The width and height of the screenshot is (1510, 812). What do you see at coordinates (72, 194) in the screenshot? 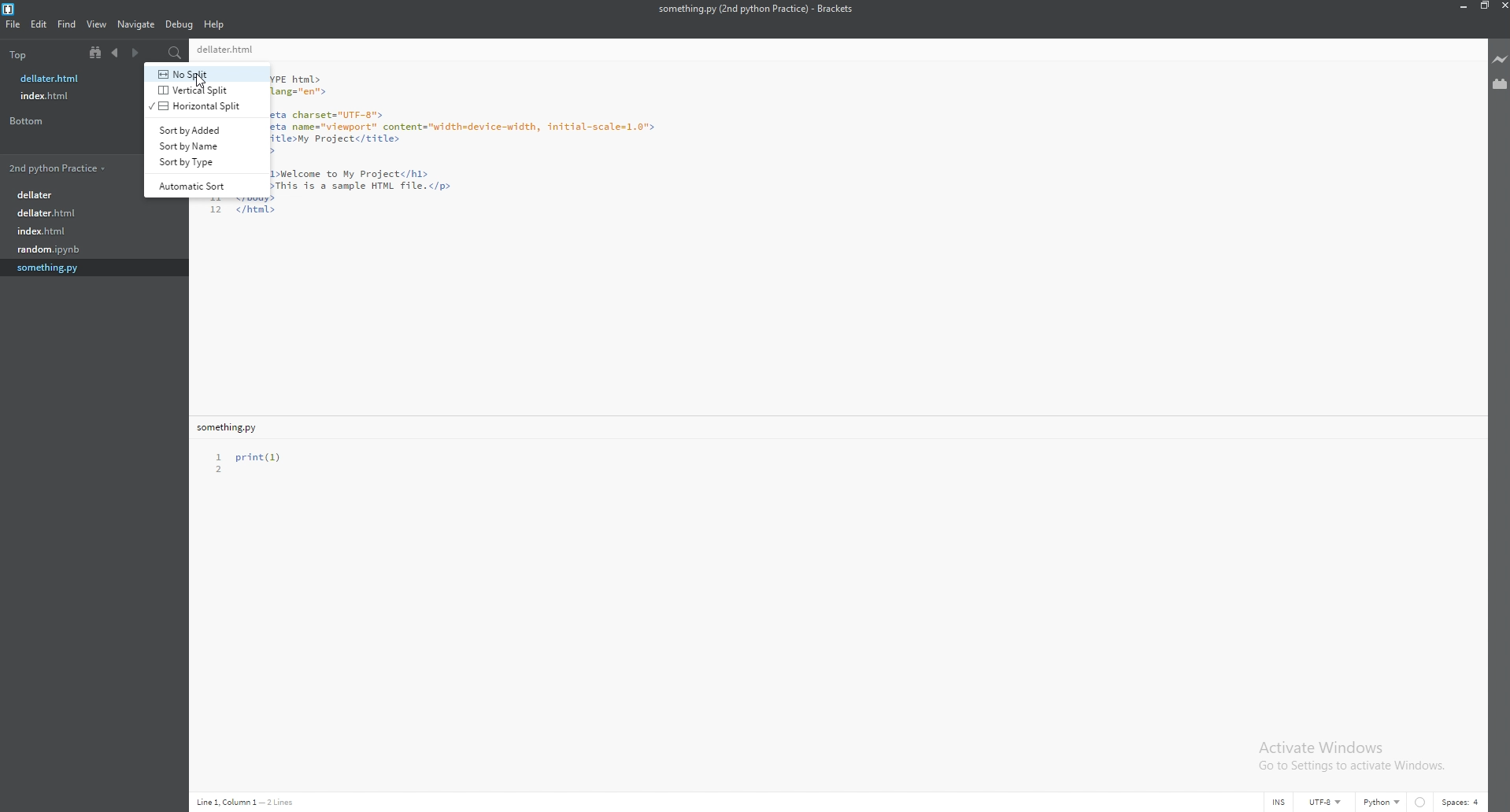
I see `file` at bounding box center [72, 194].